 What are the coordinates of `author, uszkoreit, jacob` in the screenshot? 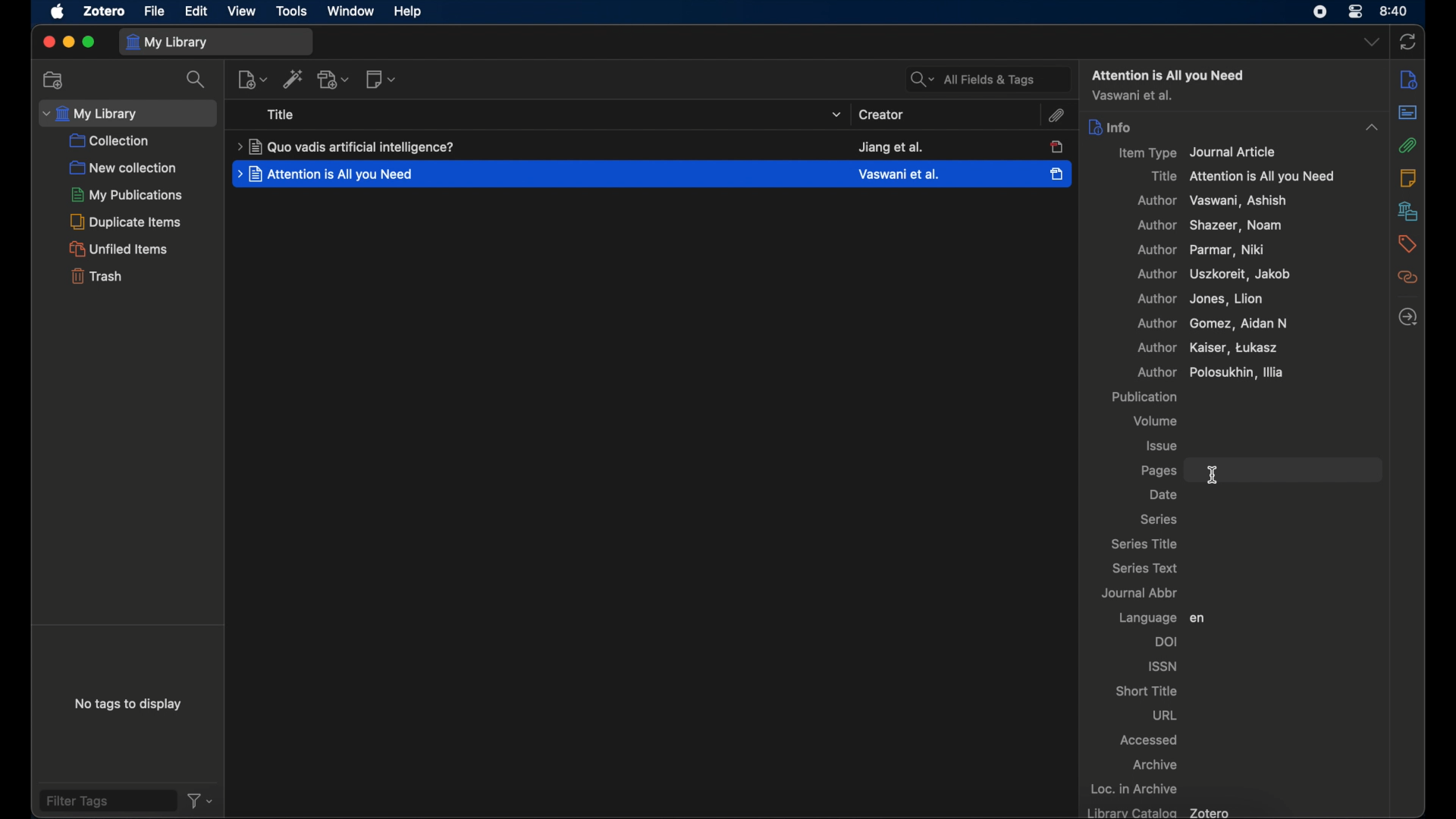 It's located at (1217, 275).